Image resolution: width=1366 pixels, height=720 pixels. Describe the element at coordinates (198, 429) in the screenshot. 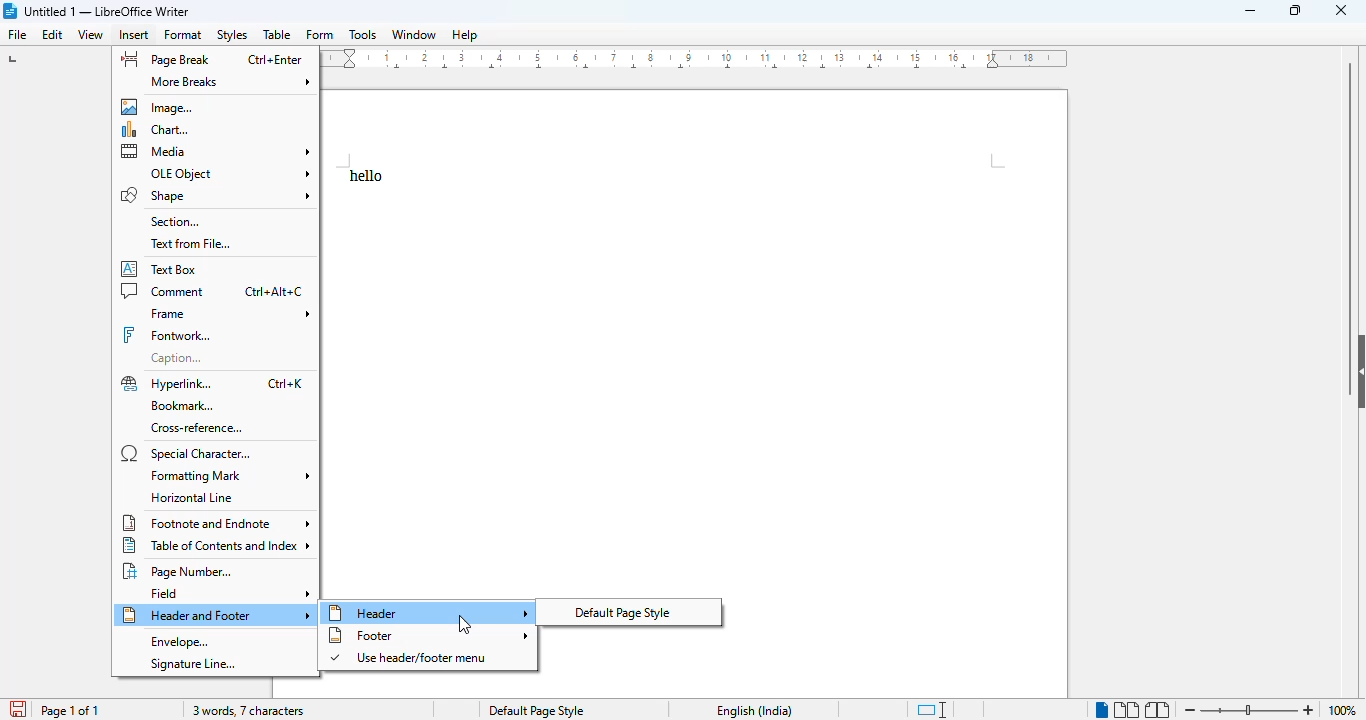

I see `cross-reference` at that location.